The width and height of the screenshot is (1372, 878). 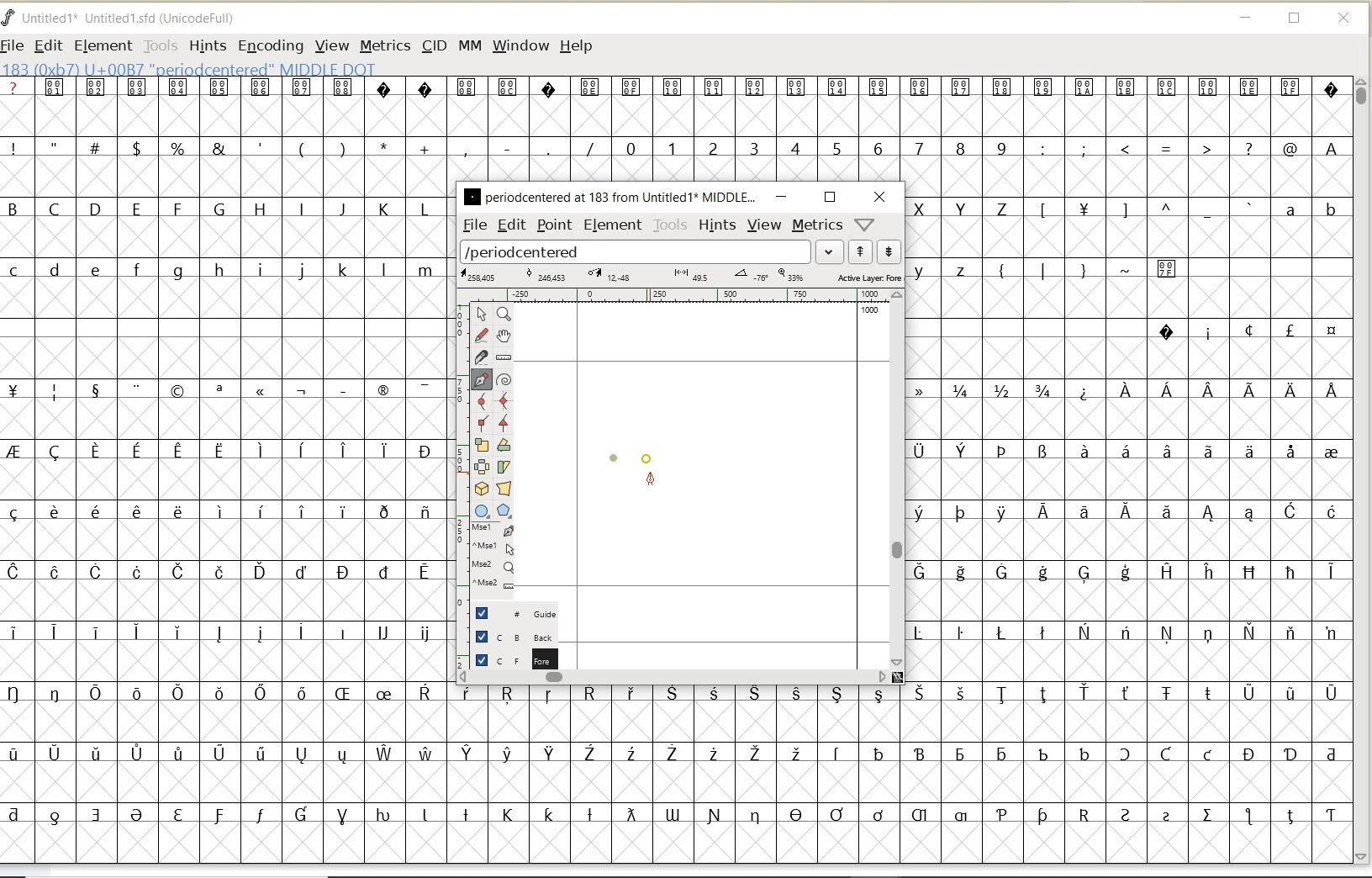 What do you see at coordinates (504, 465) in the screenshot?
I see `skew the selection` at bounding box center [504, 465].